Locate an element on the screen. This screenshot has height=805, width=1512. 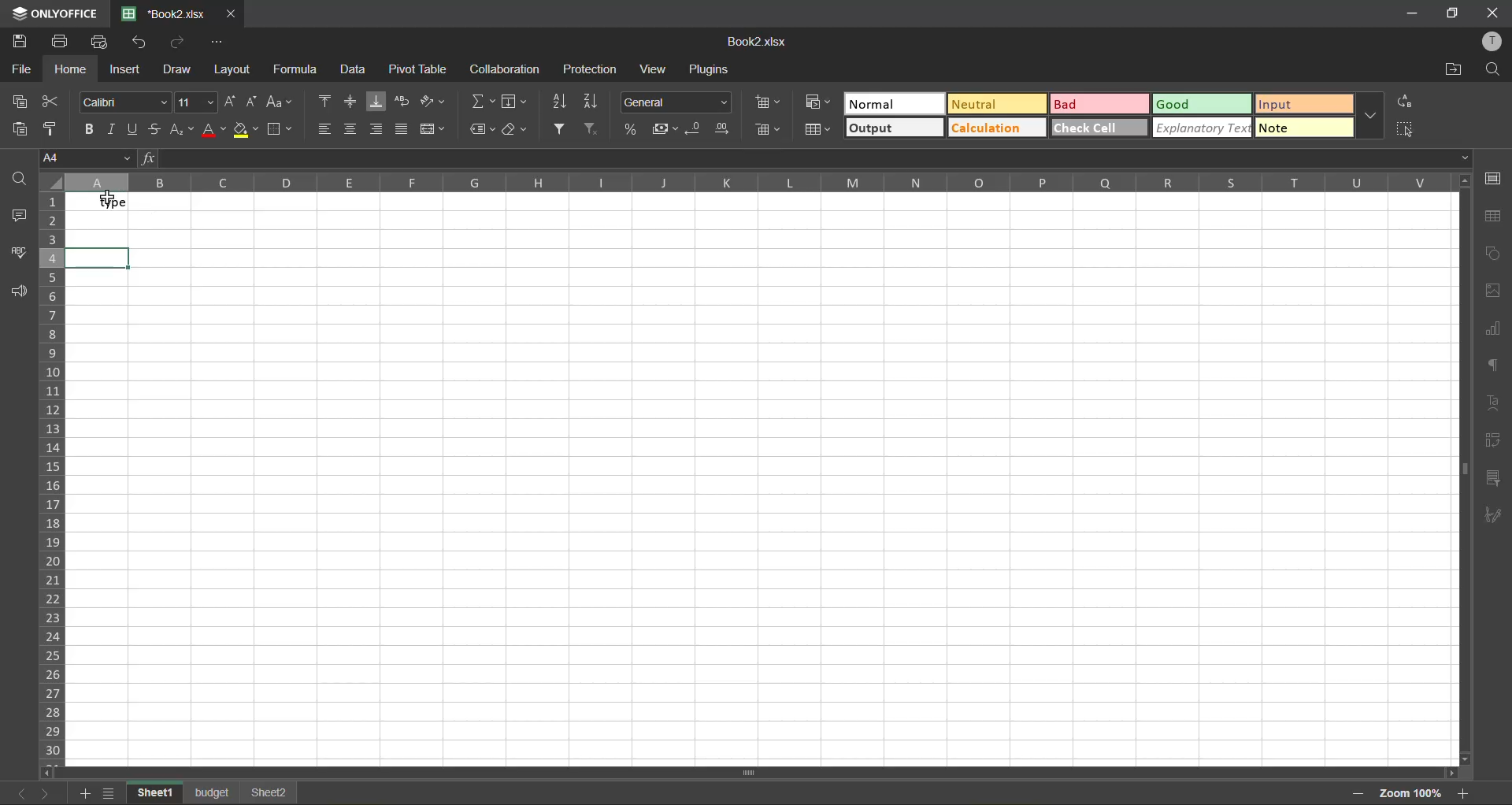
Book2.xlsx is located at coordinates (161, 13).